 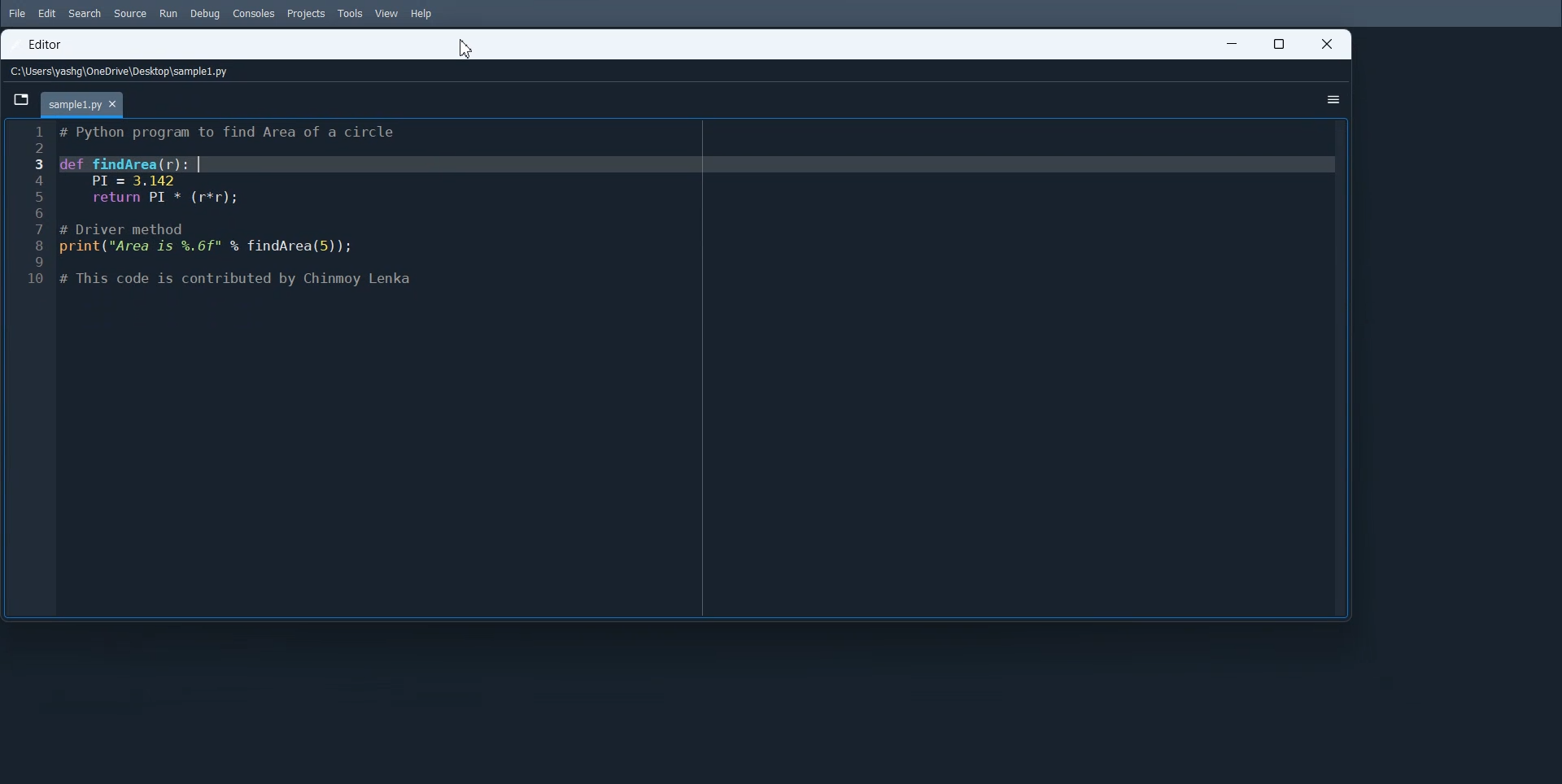 What do you see at coordinates (168, 13) in the screenshot?
I see `Run` at bounding box center [168, 13].